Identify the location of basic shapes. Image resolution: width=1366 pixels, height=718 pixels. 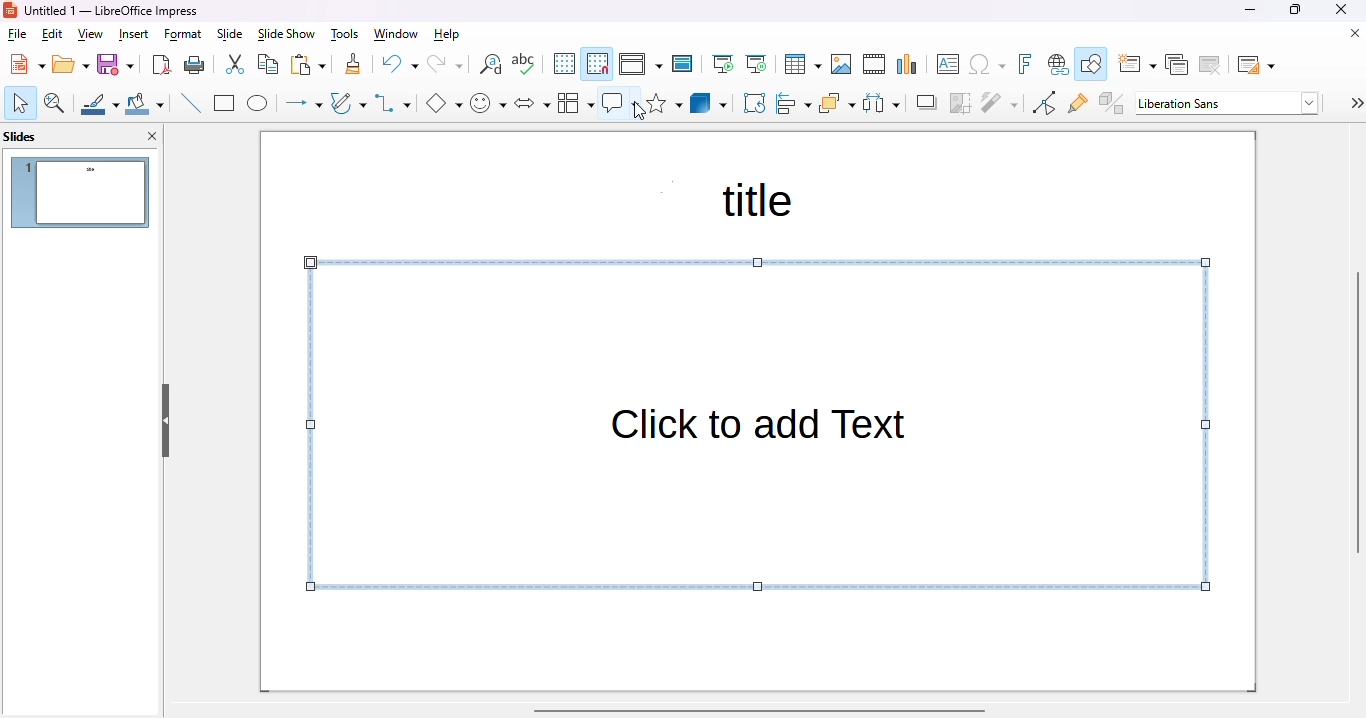
(444, 103).